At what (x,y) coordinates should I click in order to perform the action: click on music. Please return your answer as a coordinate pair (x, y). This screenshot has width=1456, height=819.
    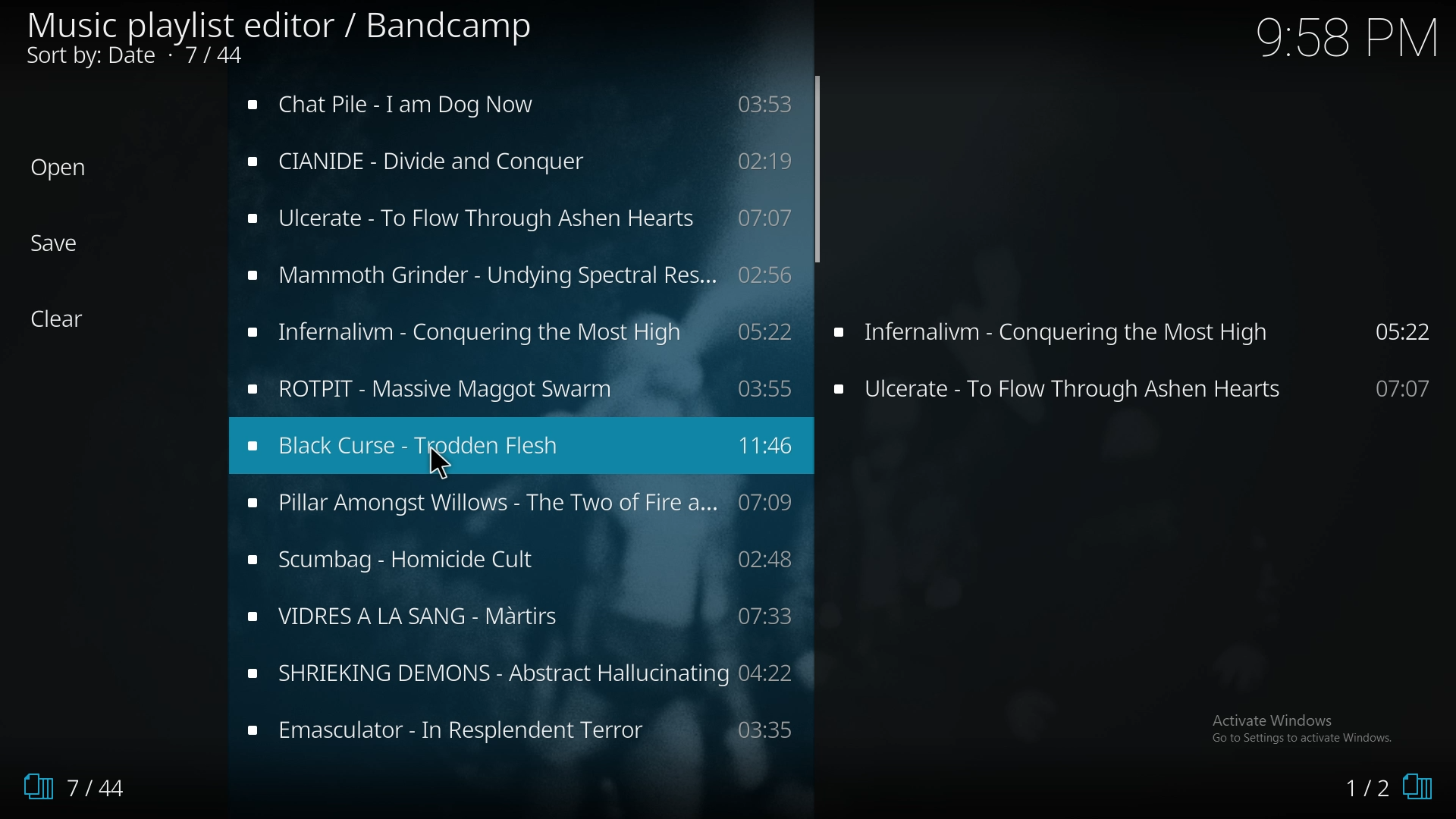
    Looking at the image, I should click on (520, 162).